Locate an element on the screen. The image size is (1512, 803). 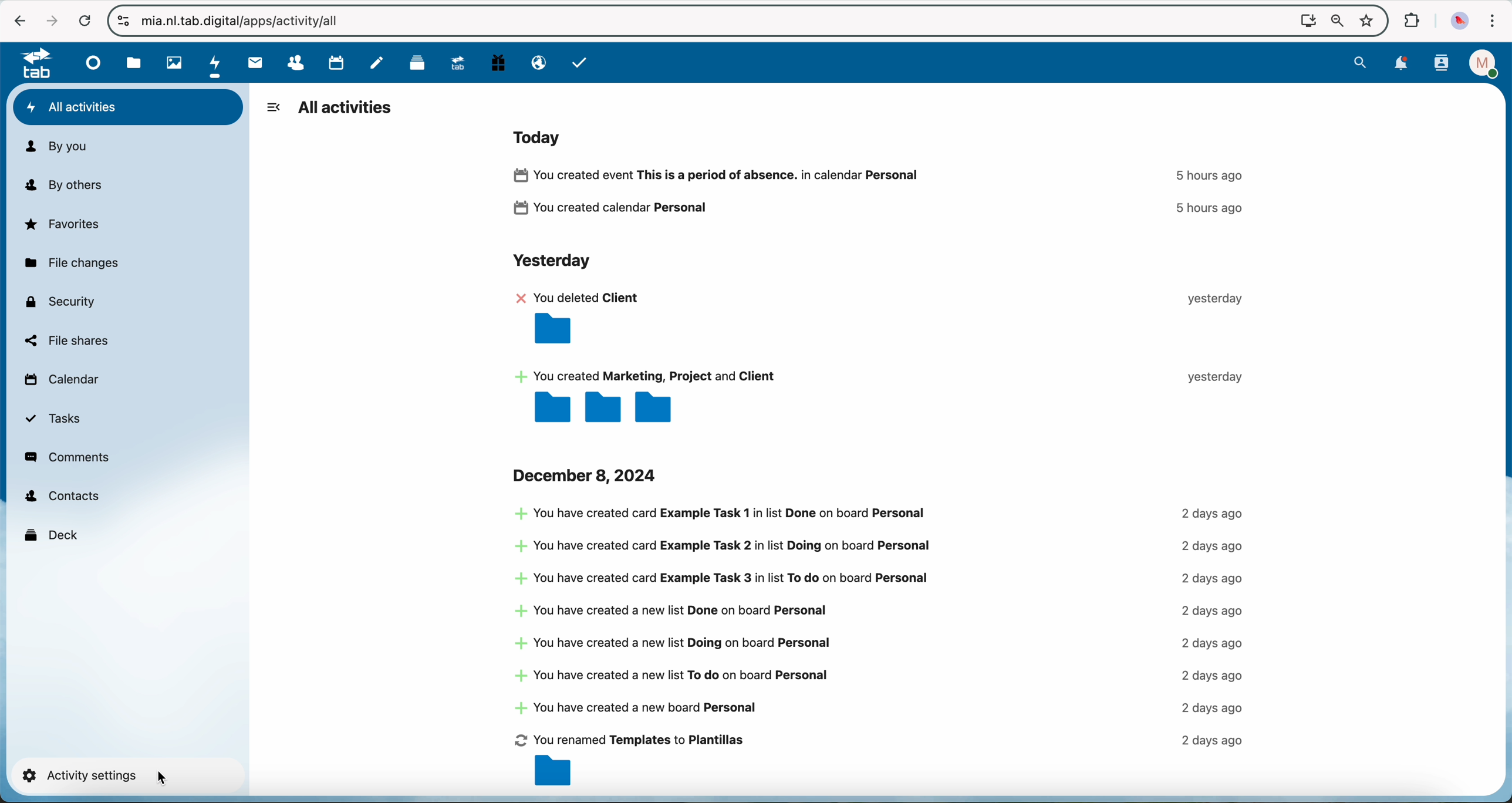
dashboard is located at coordinates (90, 62).